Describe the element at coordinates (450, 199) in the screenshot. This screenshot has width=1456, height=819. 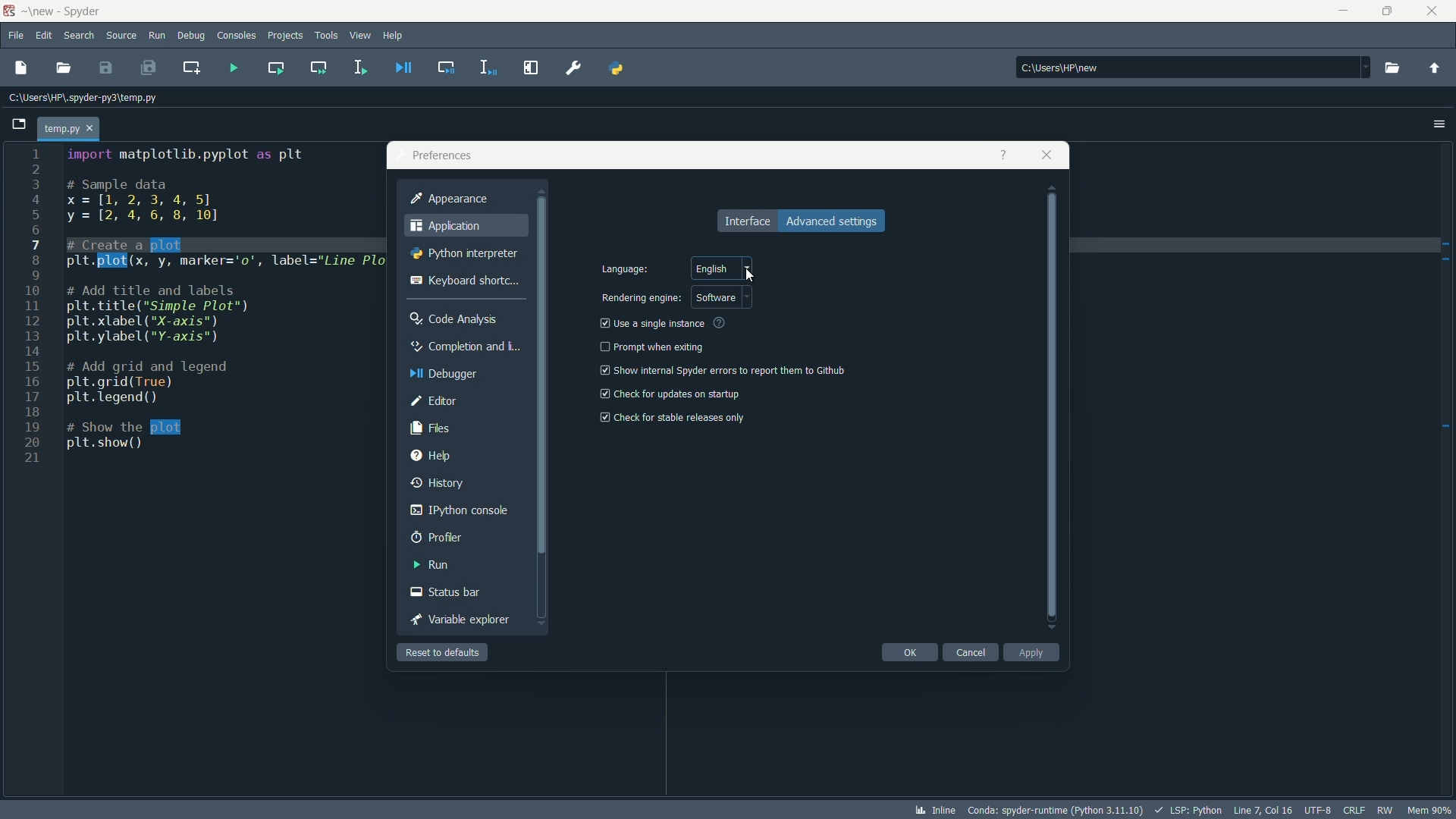
I see `appearance` at that location.